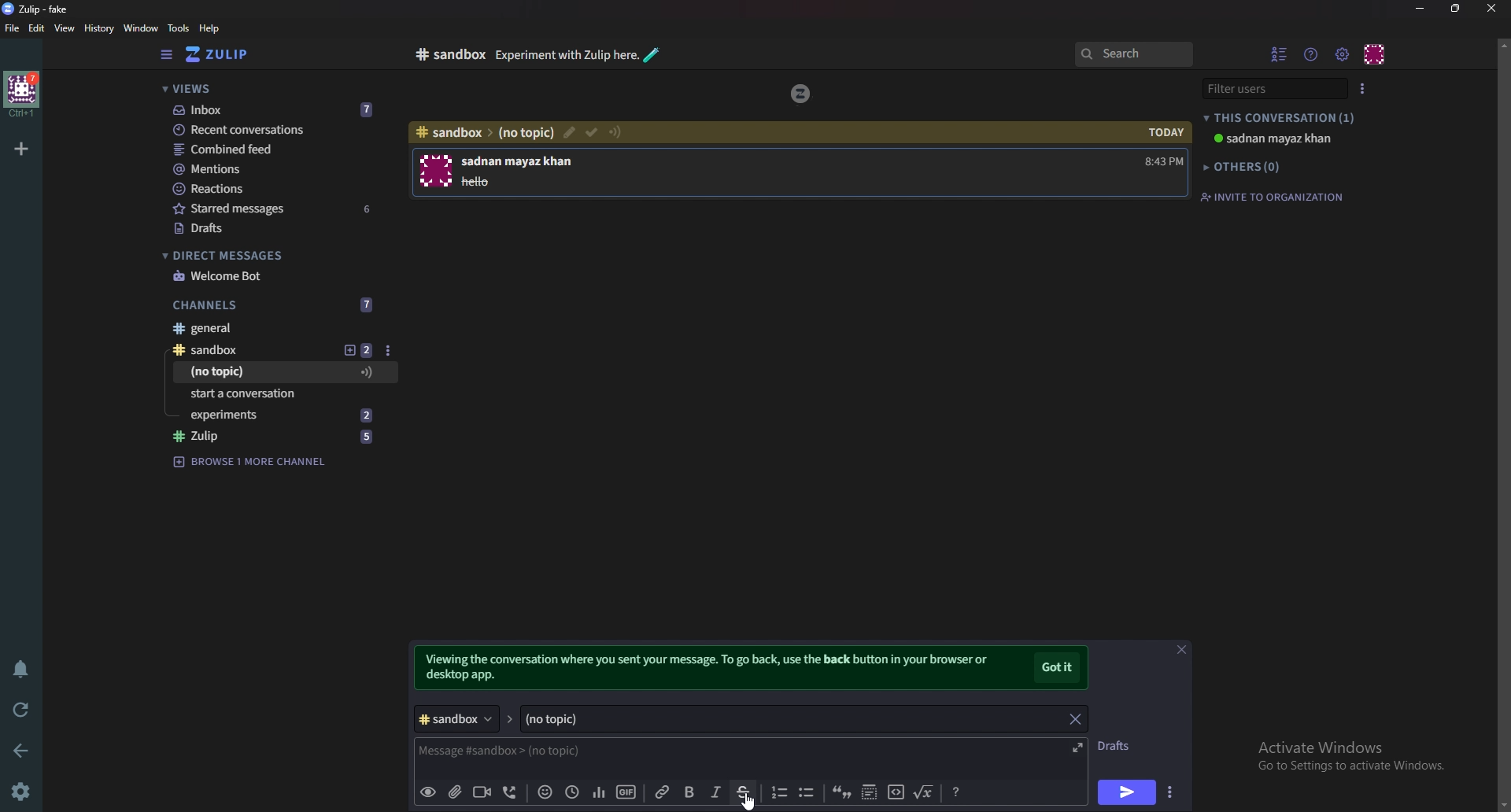 The height and width of the screenshot is (812, 1511). What do you see at coordinates (481, 795) in the screenshot?
I see `Video call` at bounding box center [481, 795].